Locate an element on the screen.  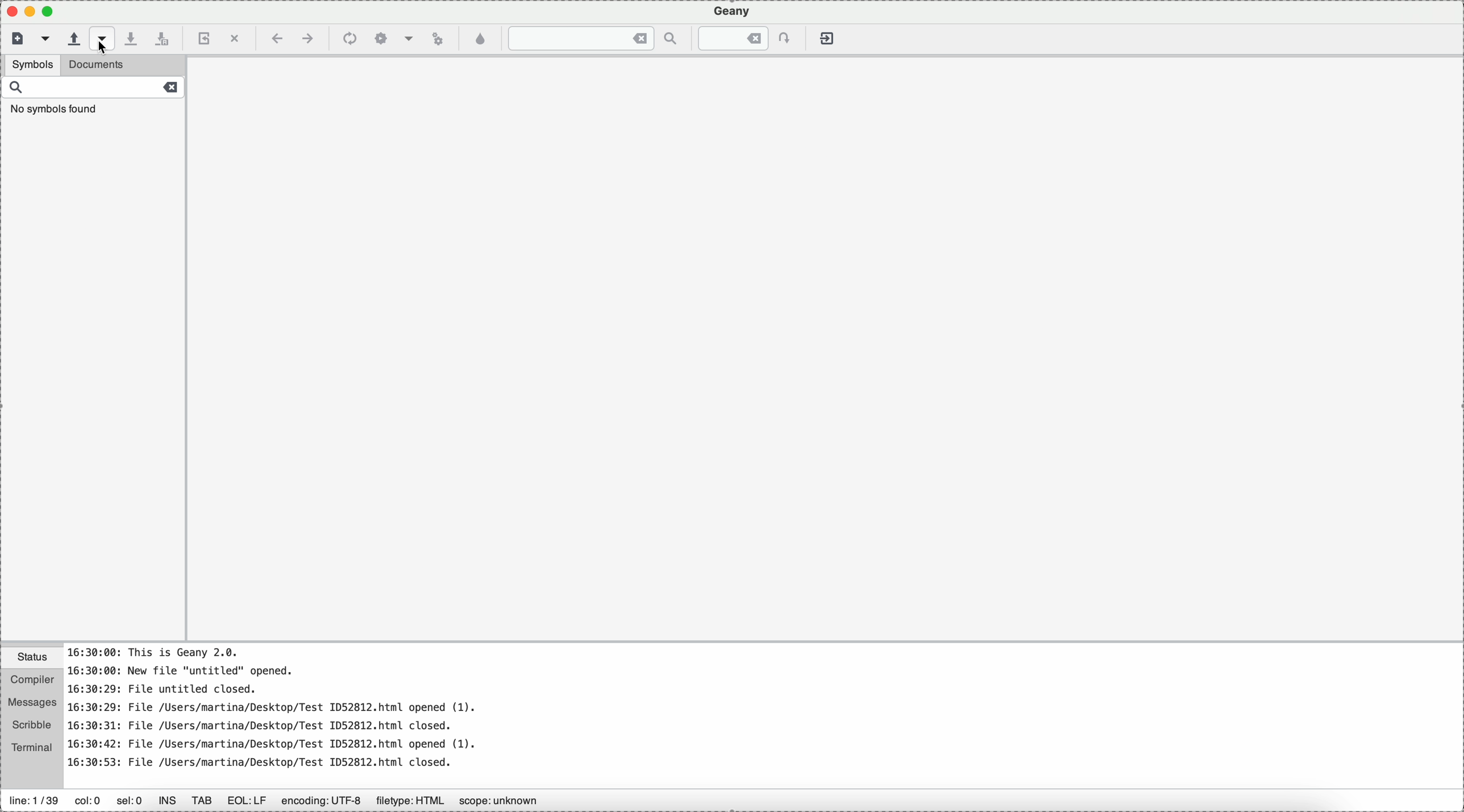
maximize is located at coordinates (31, 10).